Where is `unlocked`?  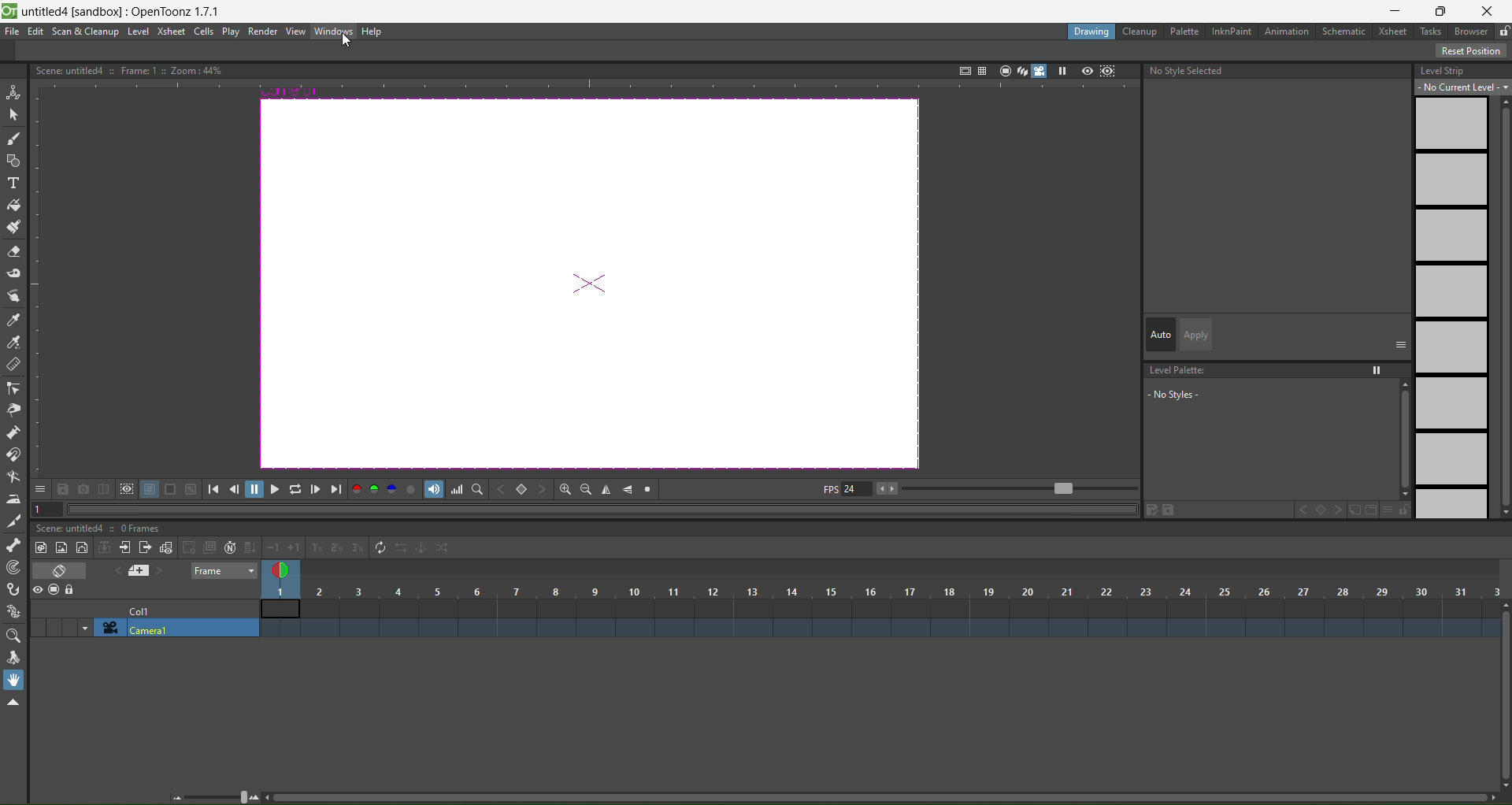 unlocked is located at coordinates (1503, 29).